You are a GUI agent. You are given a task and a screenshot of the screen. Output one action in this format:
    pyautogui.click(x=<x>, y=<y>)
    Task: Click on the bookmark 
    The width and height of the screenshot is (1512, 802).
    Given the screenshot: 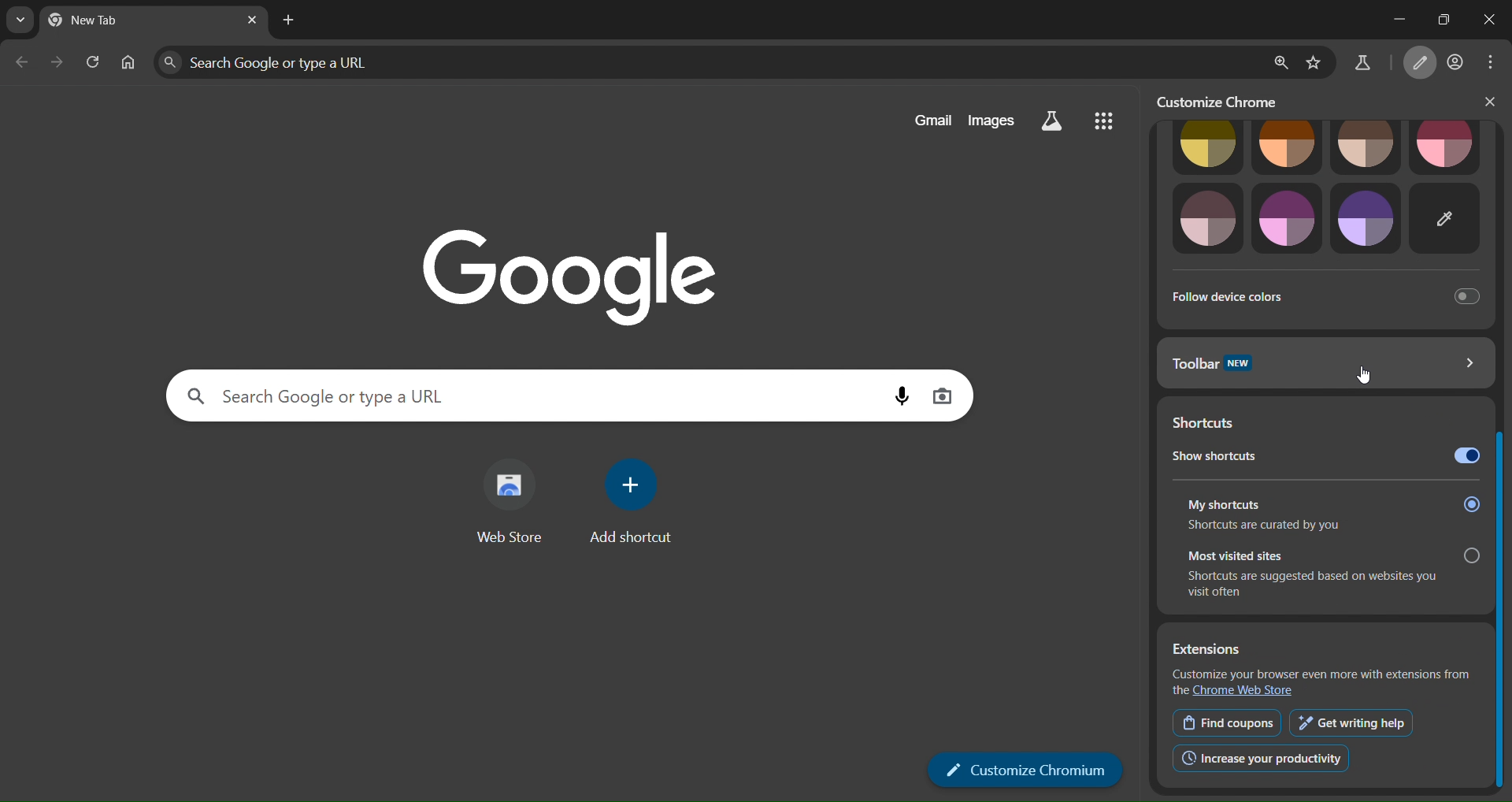 What is the action you would take?
    pyautogui.click(x=1314, y=64)
    